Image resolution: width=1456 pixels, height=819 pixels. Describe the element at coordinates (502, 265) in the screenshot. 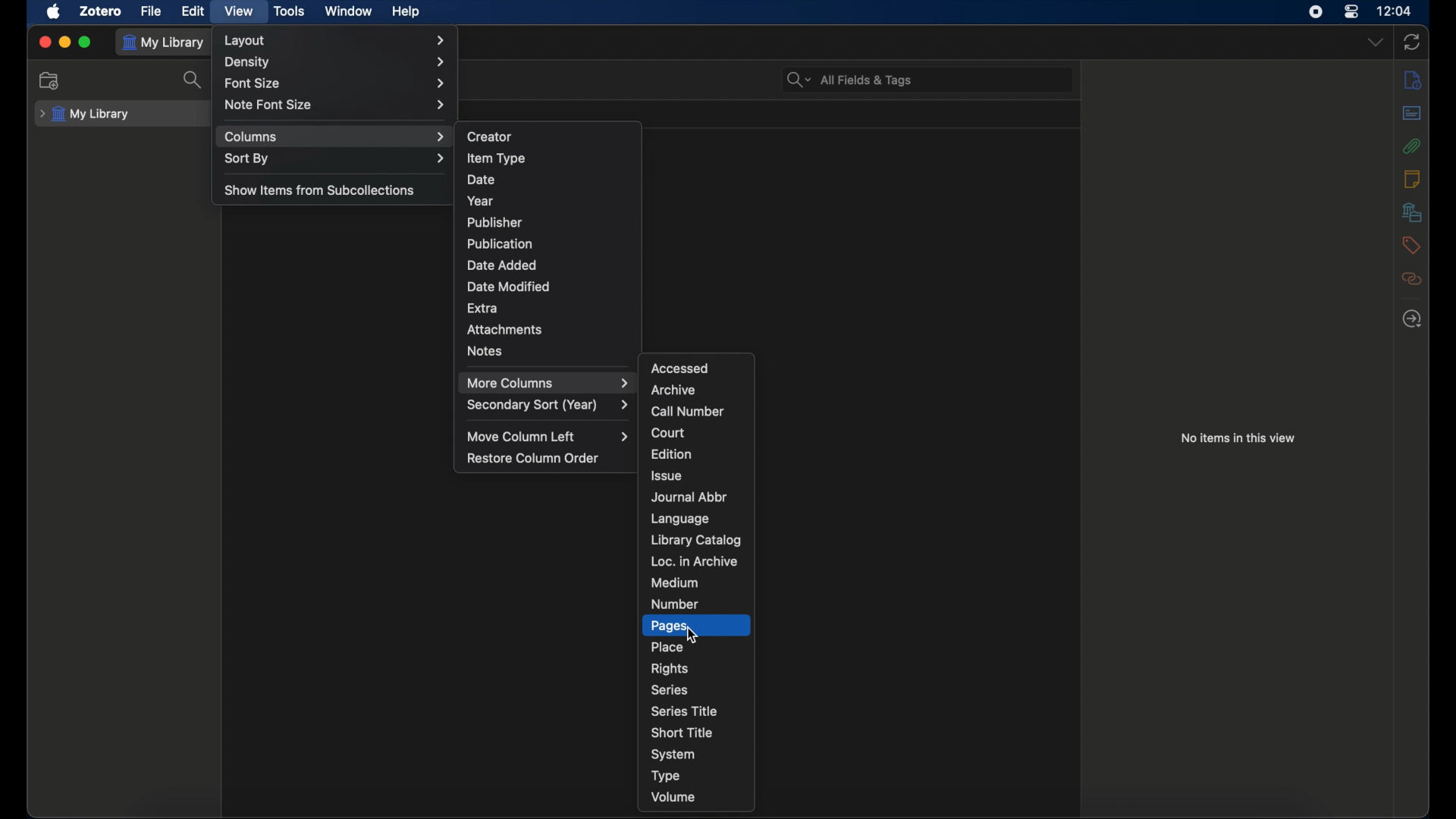

I see `date added` at that location.